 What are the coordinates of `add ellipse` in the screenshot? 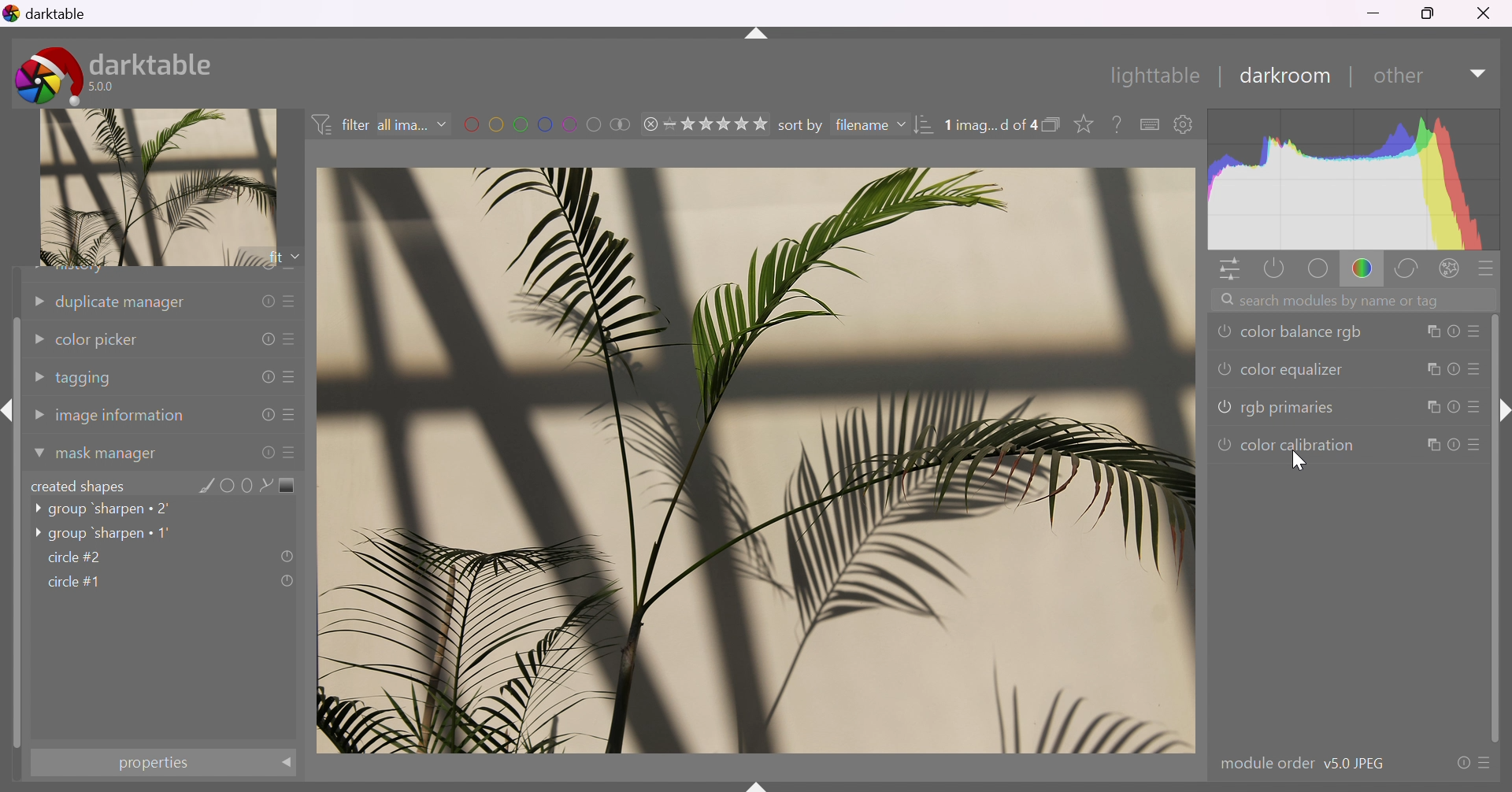 It's located at (243, 483).